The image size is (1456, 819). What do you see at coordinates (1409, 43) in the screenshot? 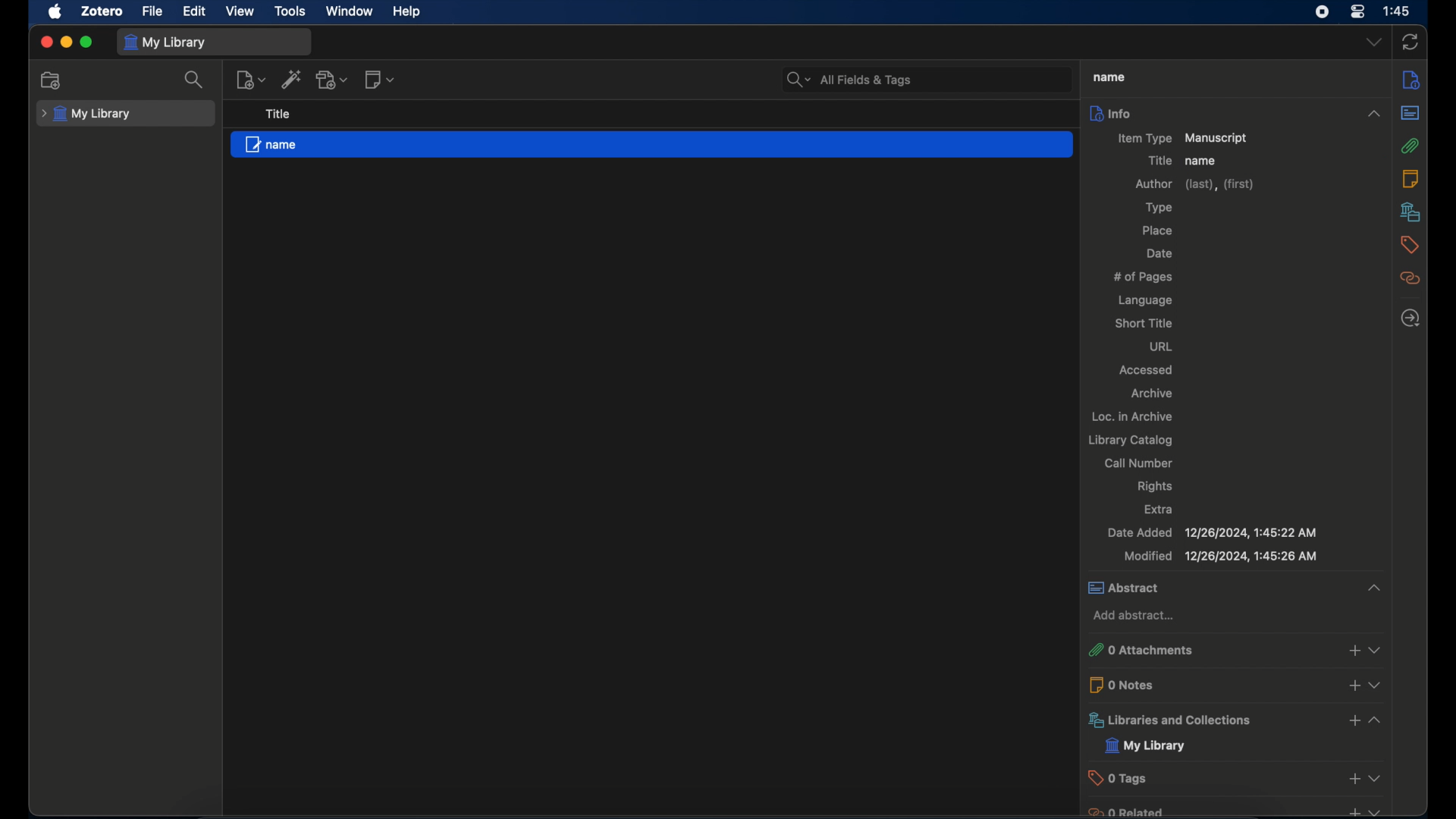
I see `sync` at bounding box center [1409, 43].